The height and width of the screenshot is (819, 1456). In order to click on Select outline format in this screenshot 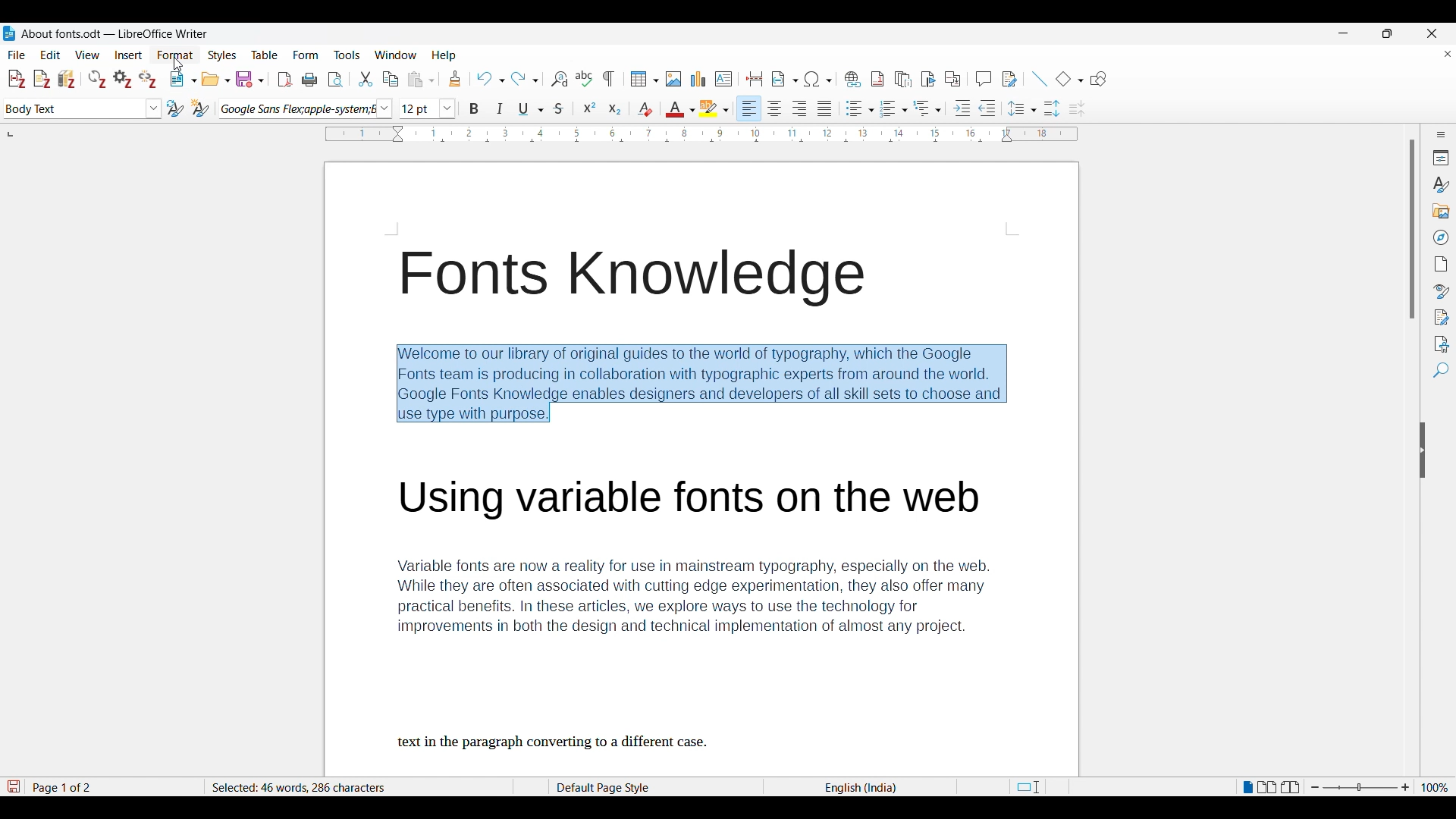, I will do `click(927, 108)`.